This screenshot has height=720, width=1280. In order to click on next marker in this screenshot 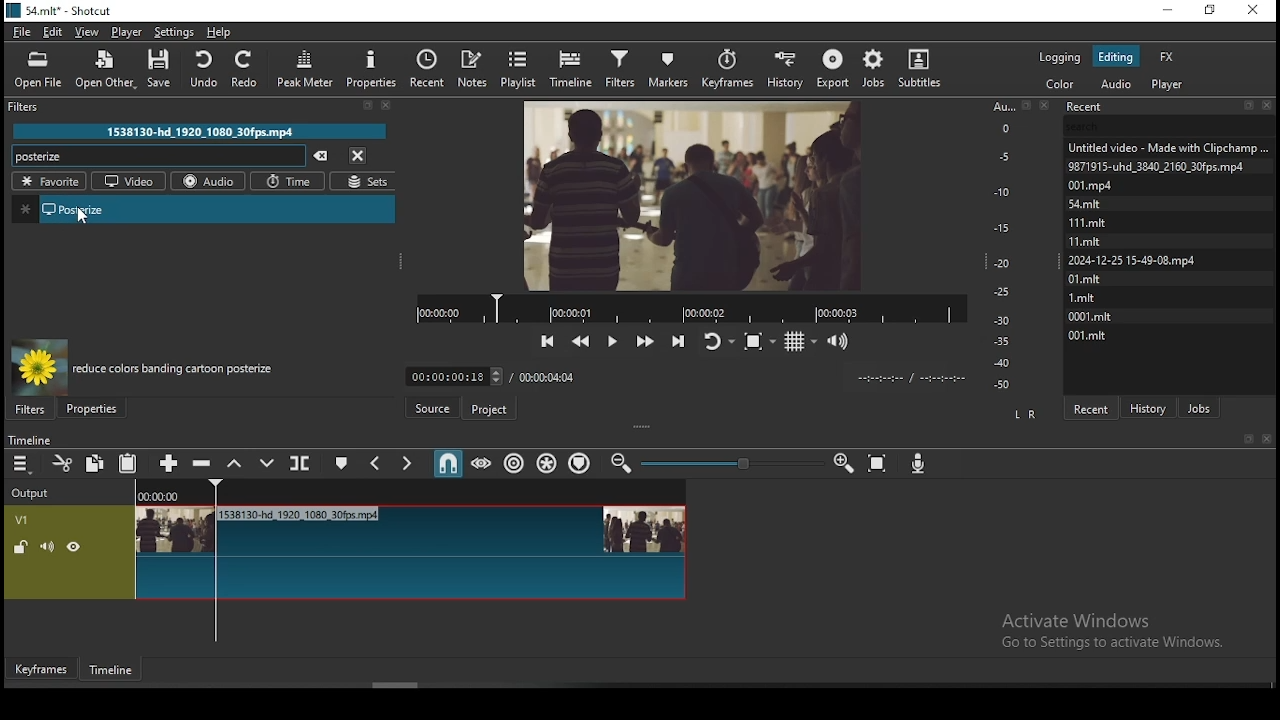, I will do `click(404, 464)`.